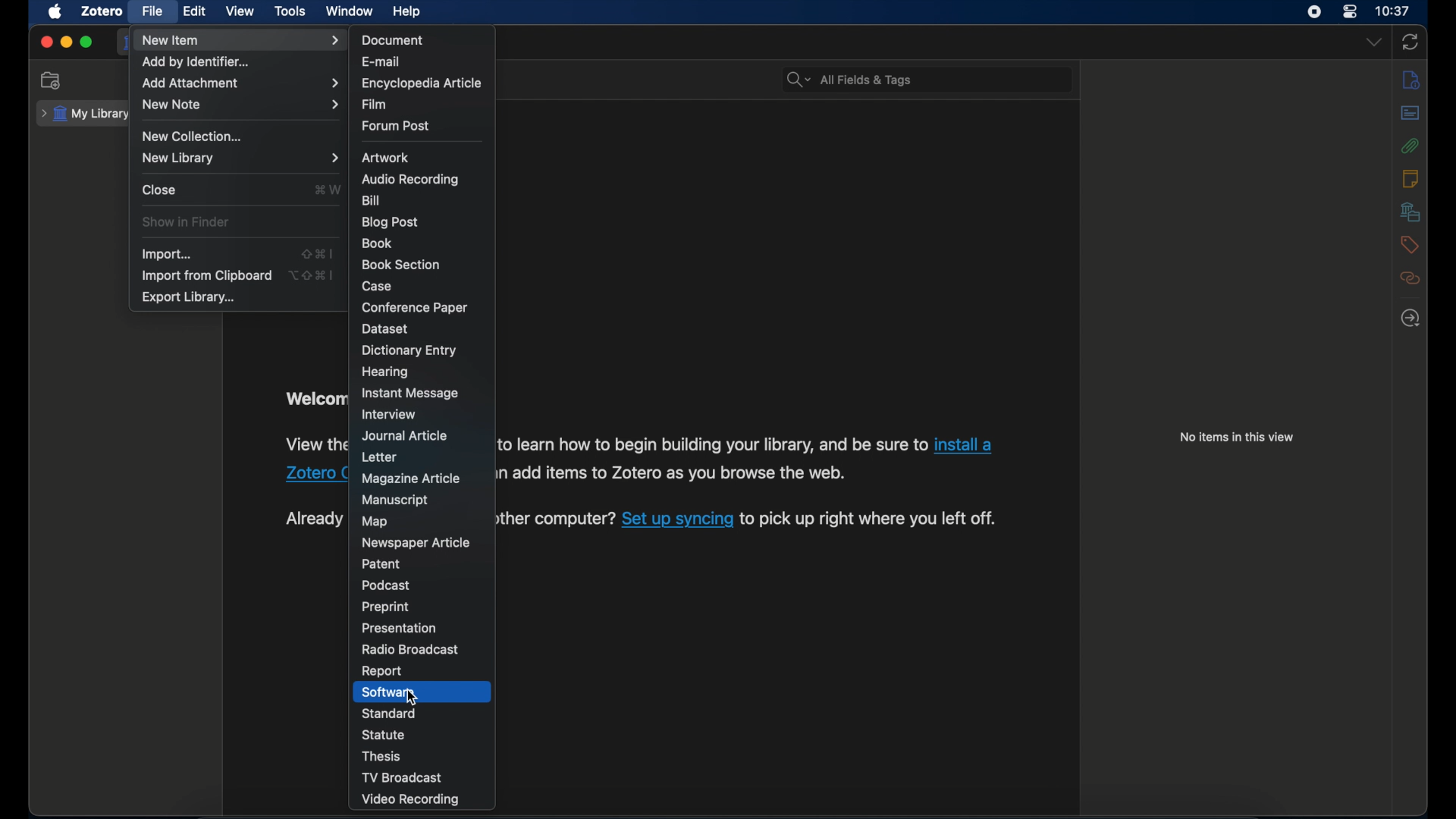  What do you see at coordinates (395, 38) in the screenshot?
I see `document` at bounding box center [395, 38].